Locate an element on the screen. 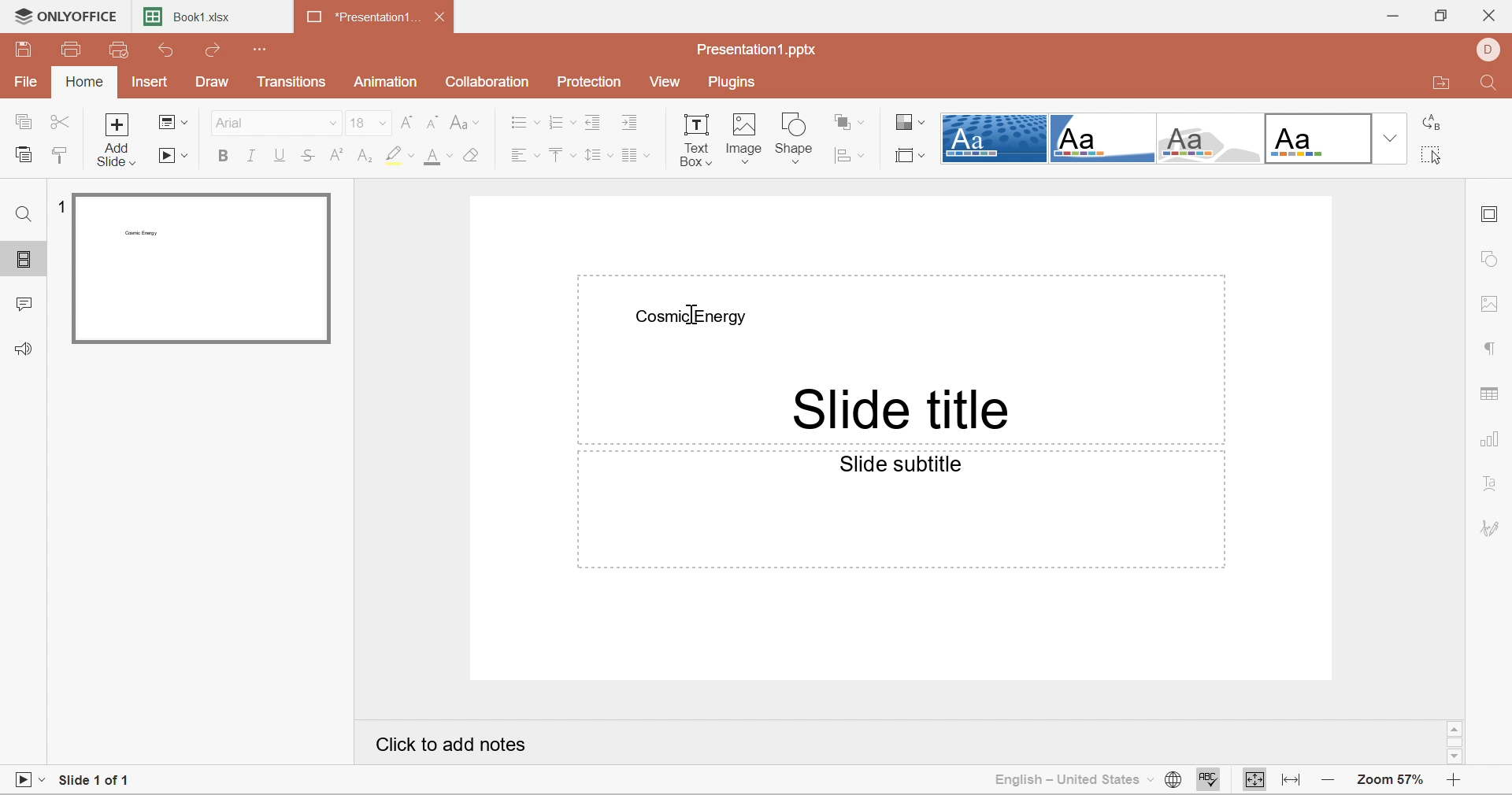  Change color theme is located at coordinates (910, 124).